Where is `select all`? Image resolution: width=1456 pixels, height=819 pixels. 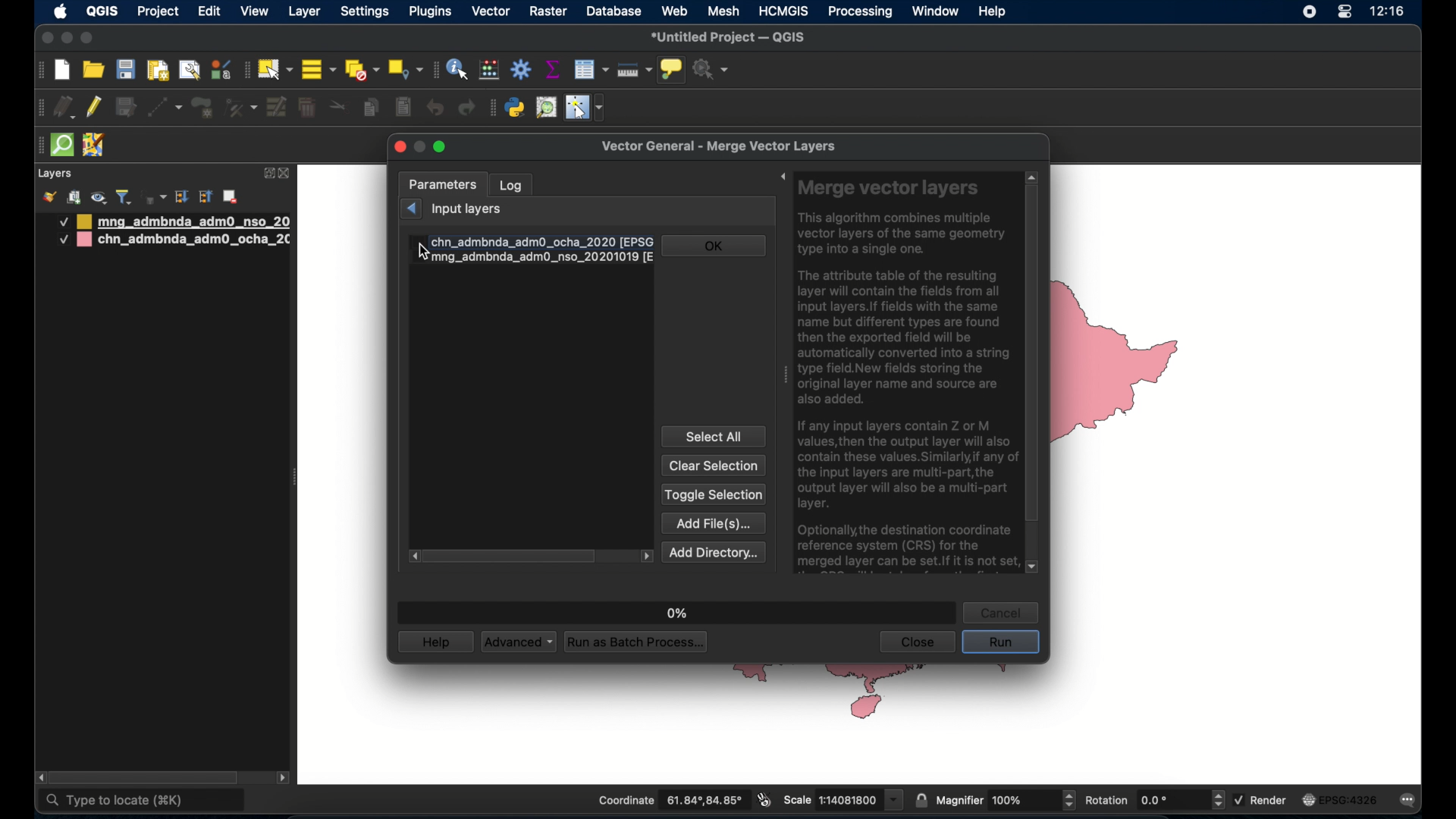 select all is located at coordinates (714, 436).